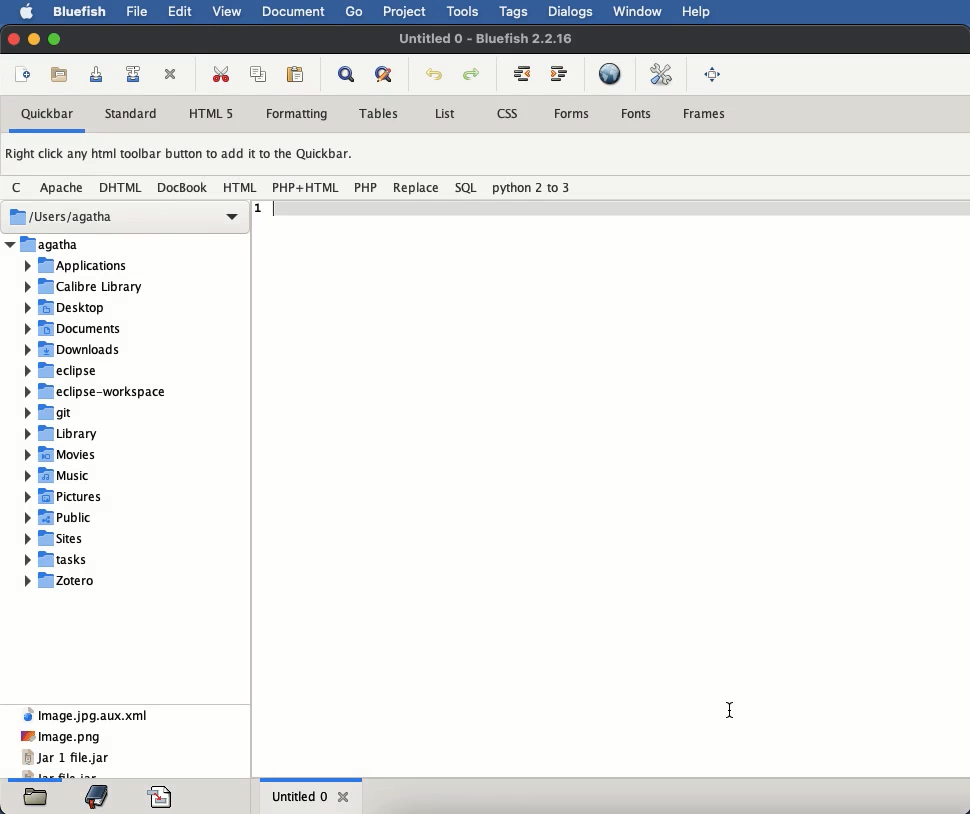 Image resolution: width=970 pixels, height=814 pixels. Describe the element at coordinates (388, 75) in the screenshot. I see `advanced find and replace` at that location.